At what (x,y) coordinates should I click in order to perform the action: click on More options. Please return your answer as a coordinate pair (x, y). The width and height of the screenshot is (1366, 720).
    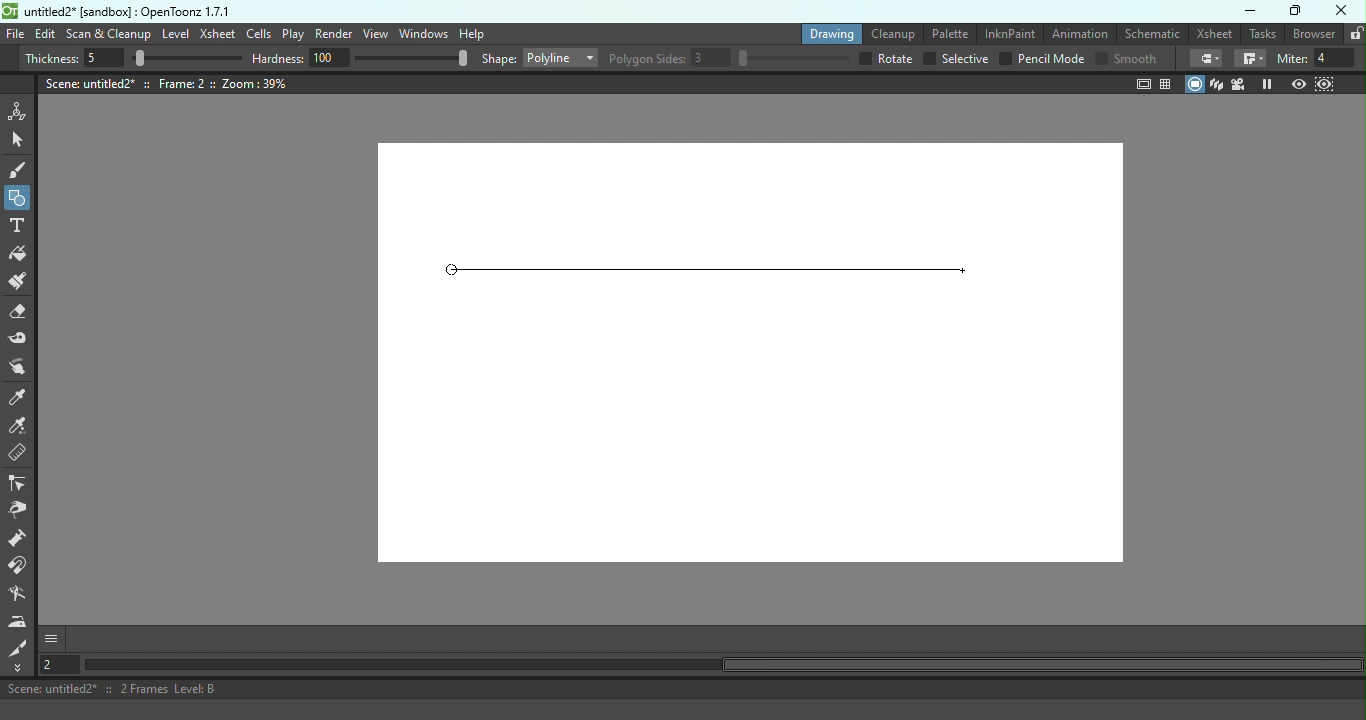
    Looking at the image, I should click on (51, 640).